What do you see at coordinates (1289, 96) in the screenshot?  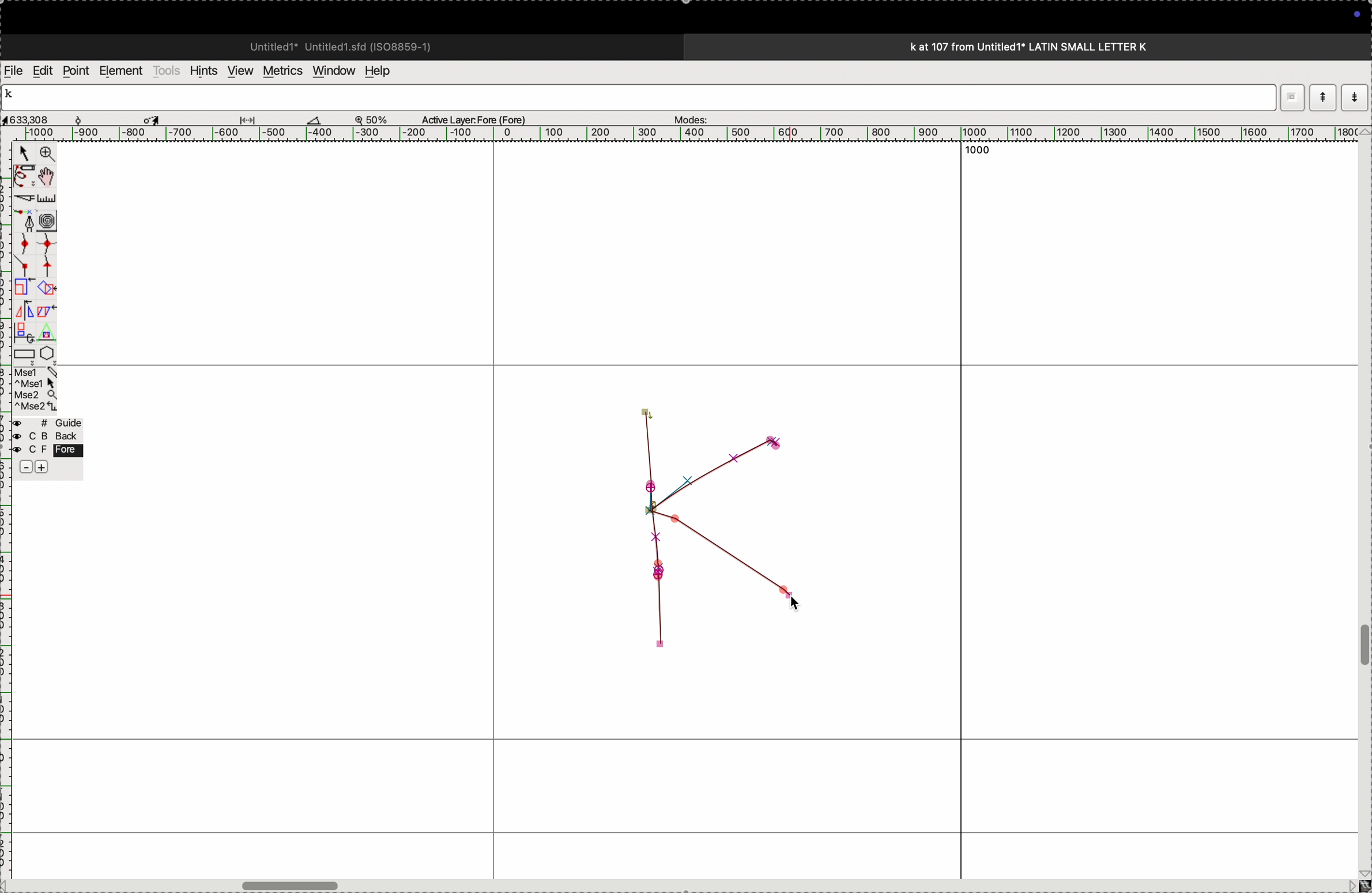 I see `restore down` at bounding box center [1289, 96].